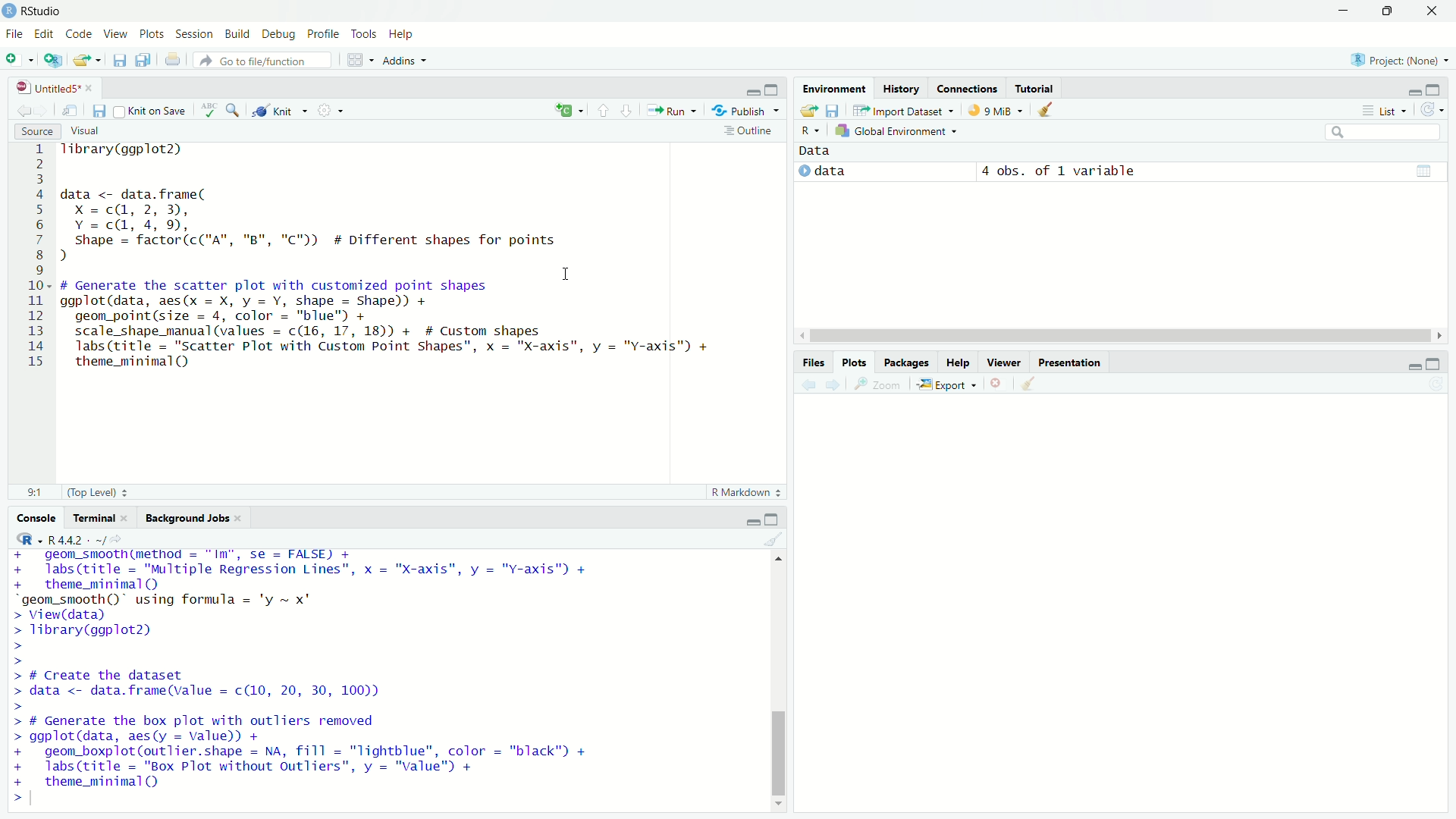 The width and height of the screenshot is (1456, 819). Describe the element at coordinates (364, 33) in the screenshot. I see `Tools` at that location.